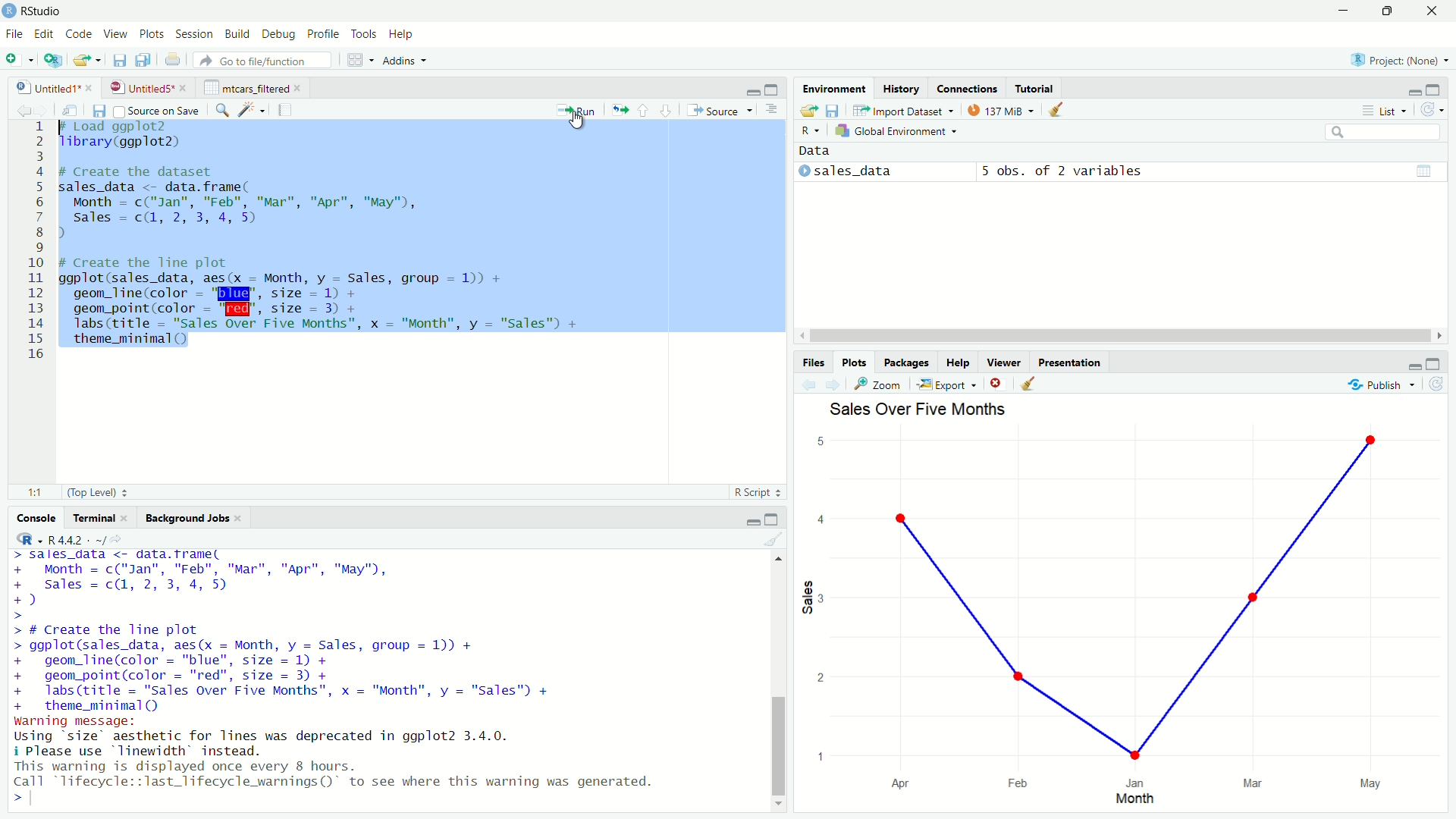  I want to click on (top leave), so click(92, 493).